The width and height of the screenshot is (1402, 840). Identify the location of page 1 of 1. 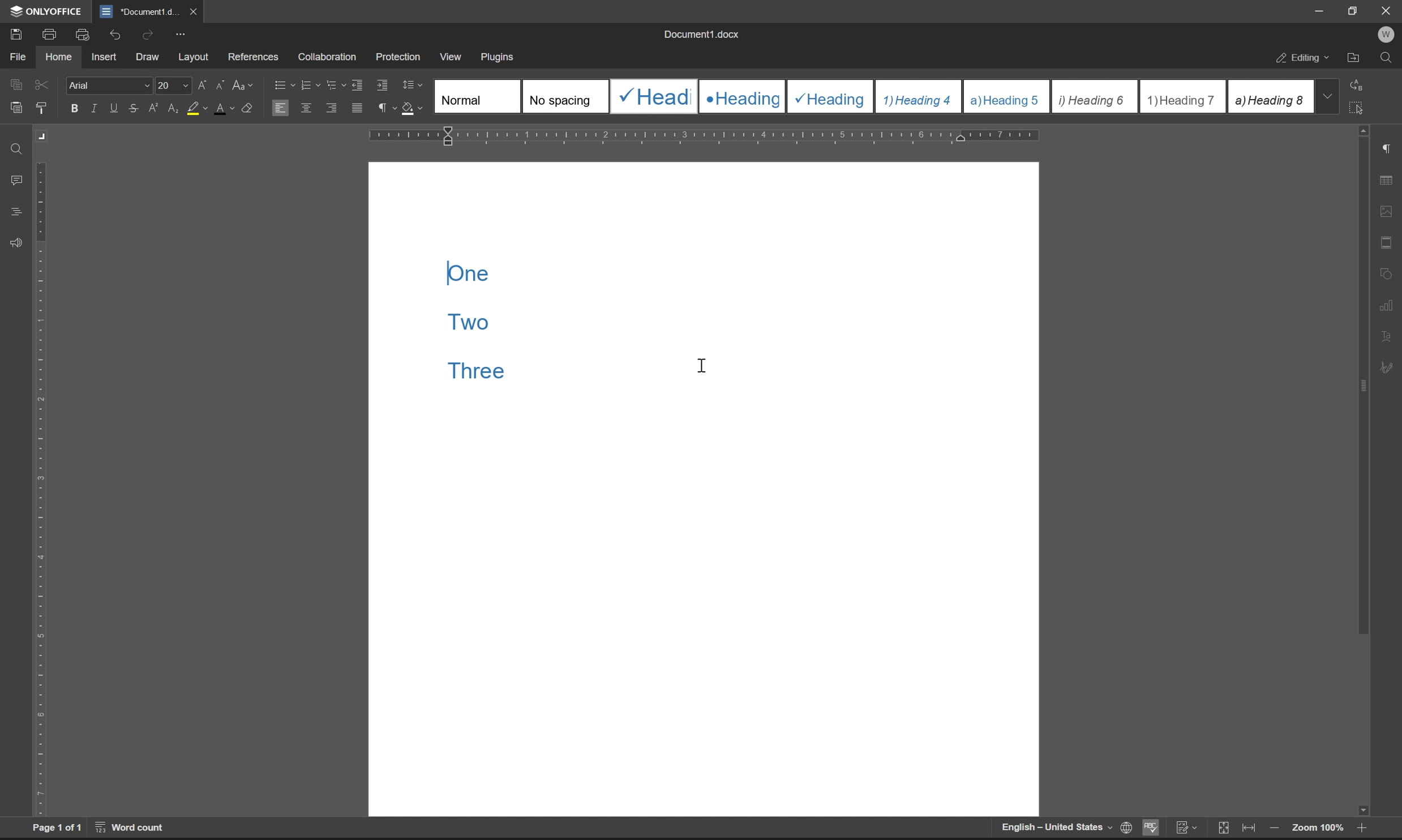
(57, 828).